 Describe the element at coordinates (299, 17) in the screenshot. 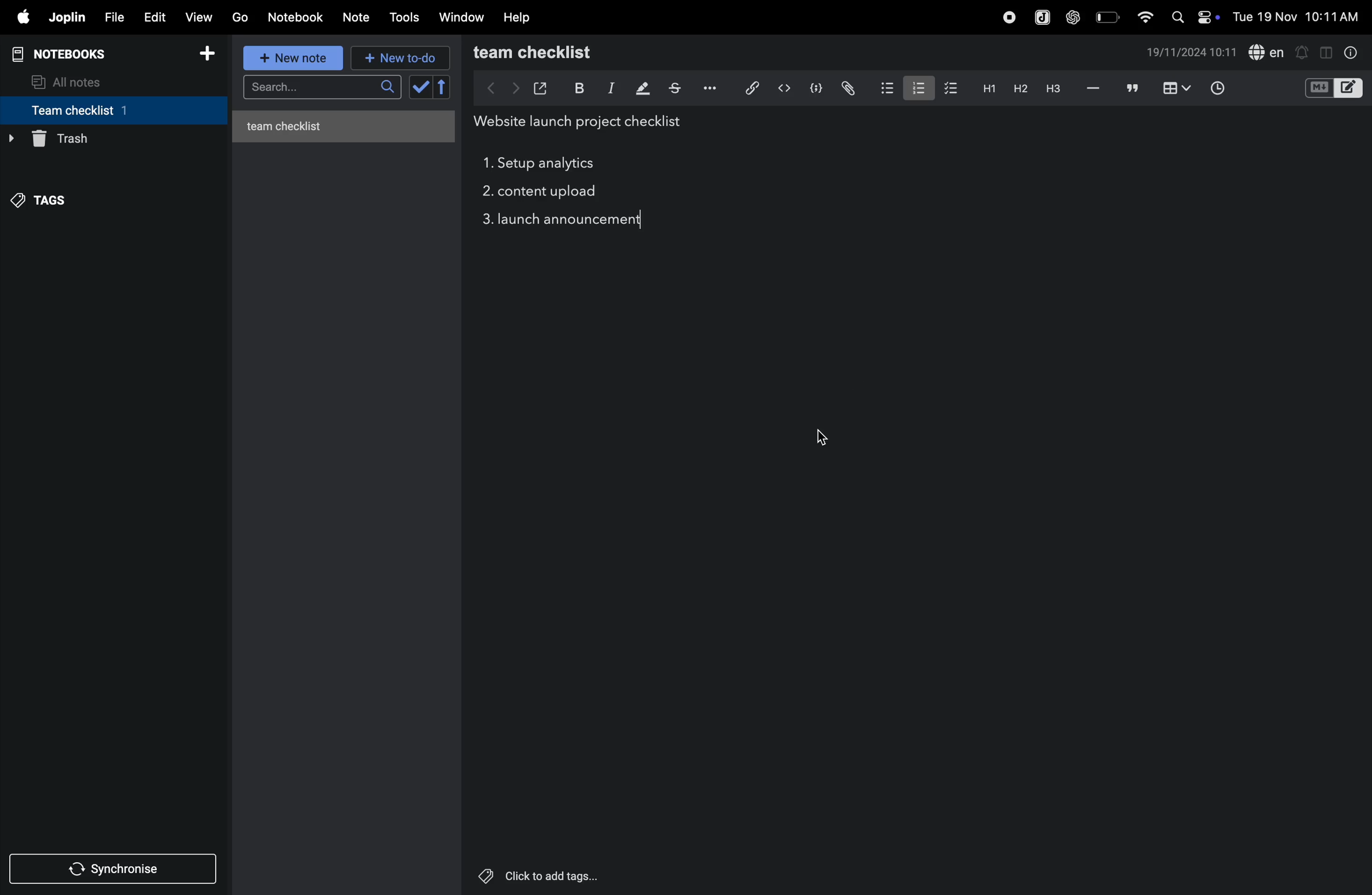

I see `Notebook` at that location.